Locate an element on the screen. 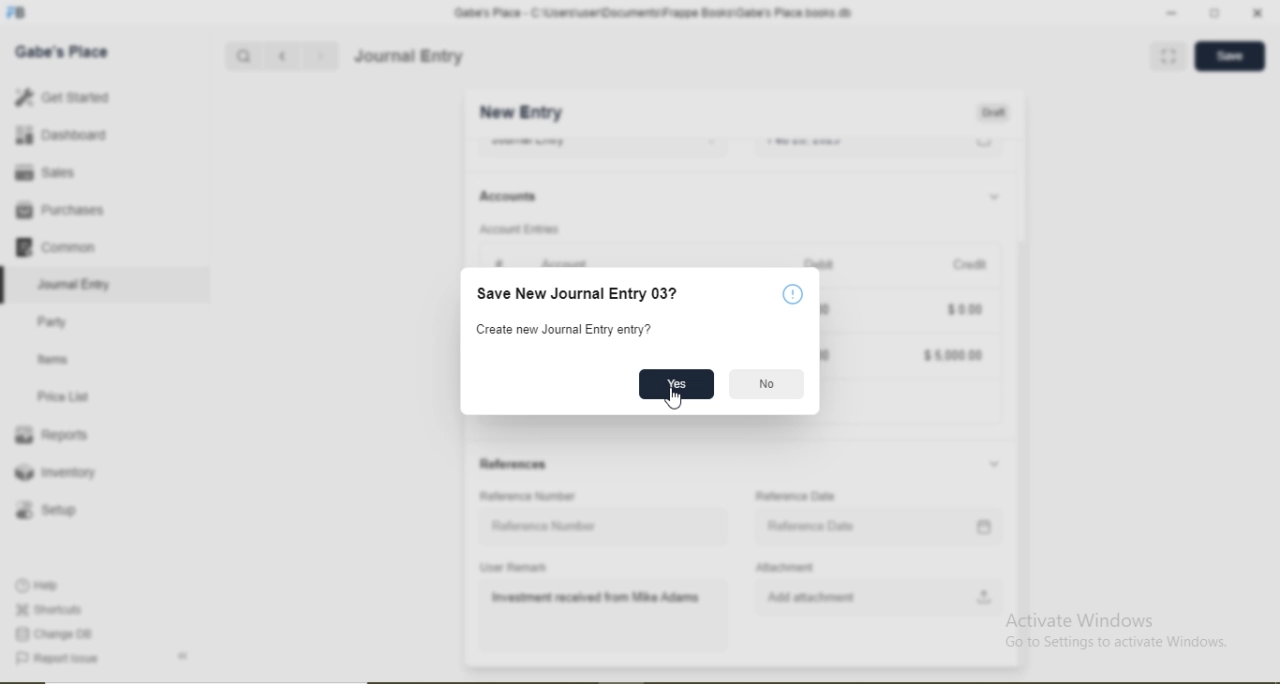  Sales is located at coordinates (42, 172).